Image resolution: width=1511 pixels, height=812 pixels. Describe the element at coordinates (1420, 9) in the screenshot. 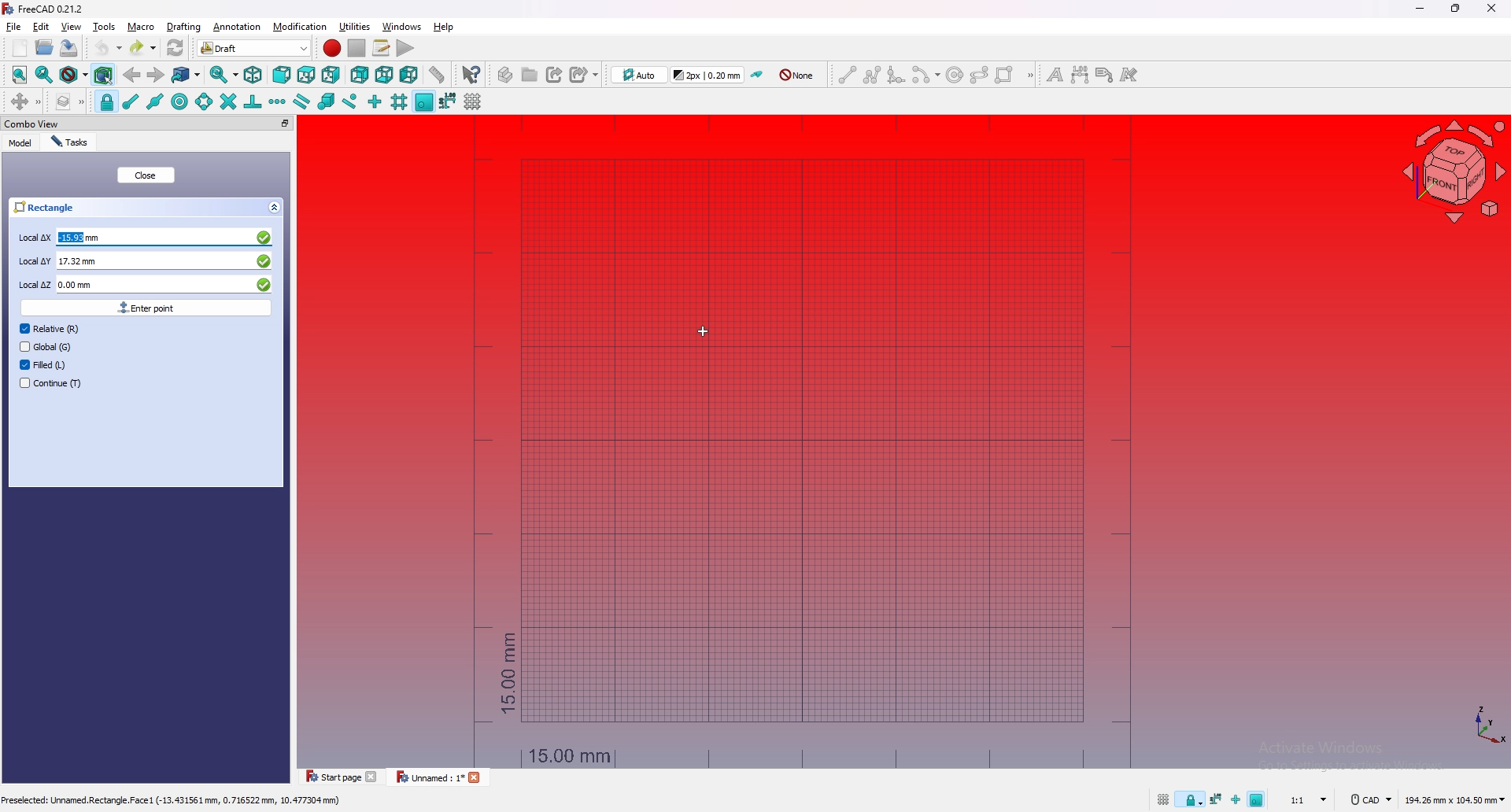

I see `minimize` at that location.